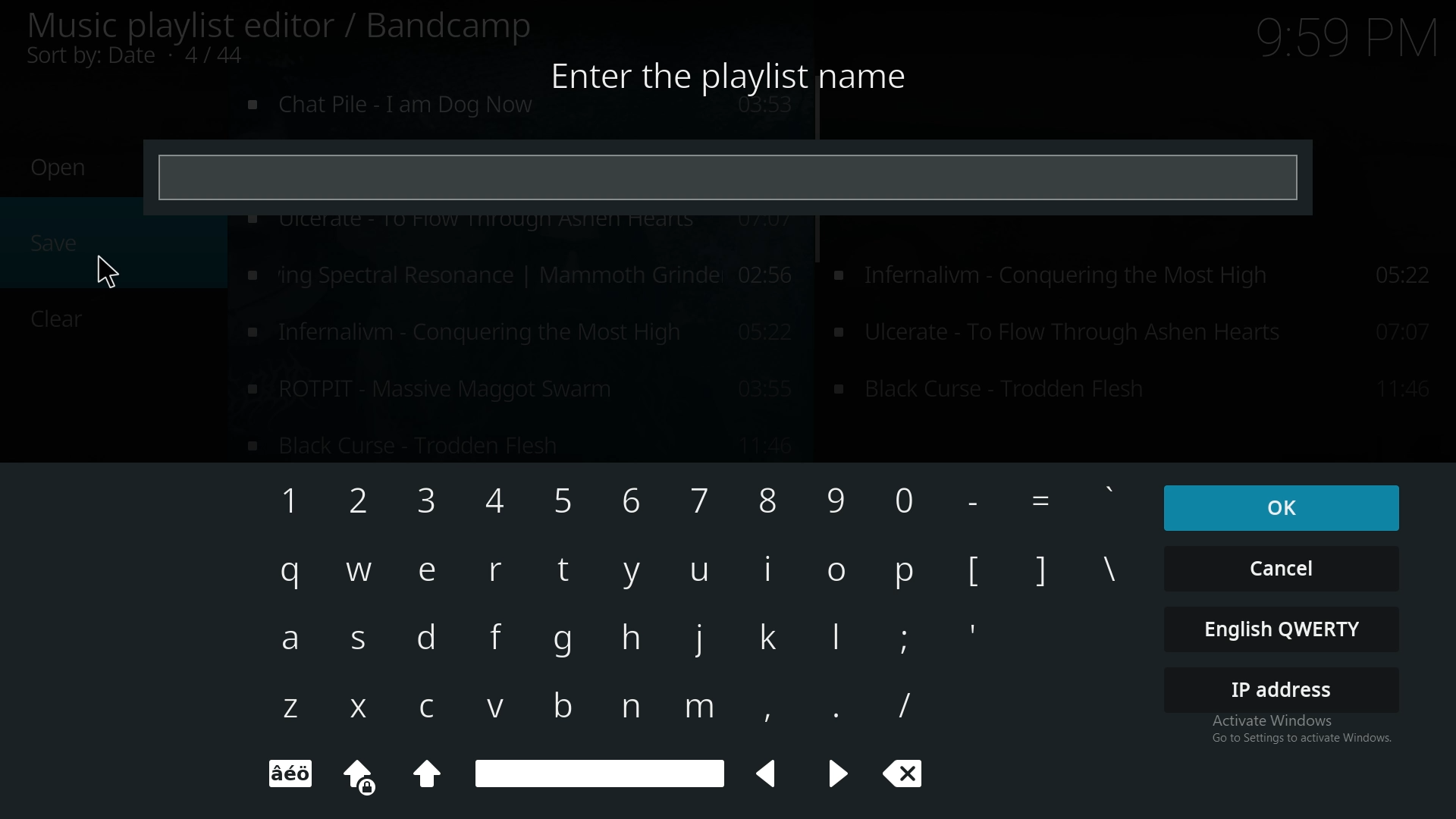 This screenshot has width=1456, height=819. Describe the element at coordinates (698, 498) in the screenshot. I see `keyboard input` at that location.